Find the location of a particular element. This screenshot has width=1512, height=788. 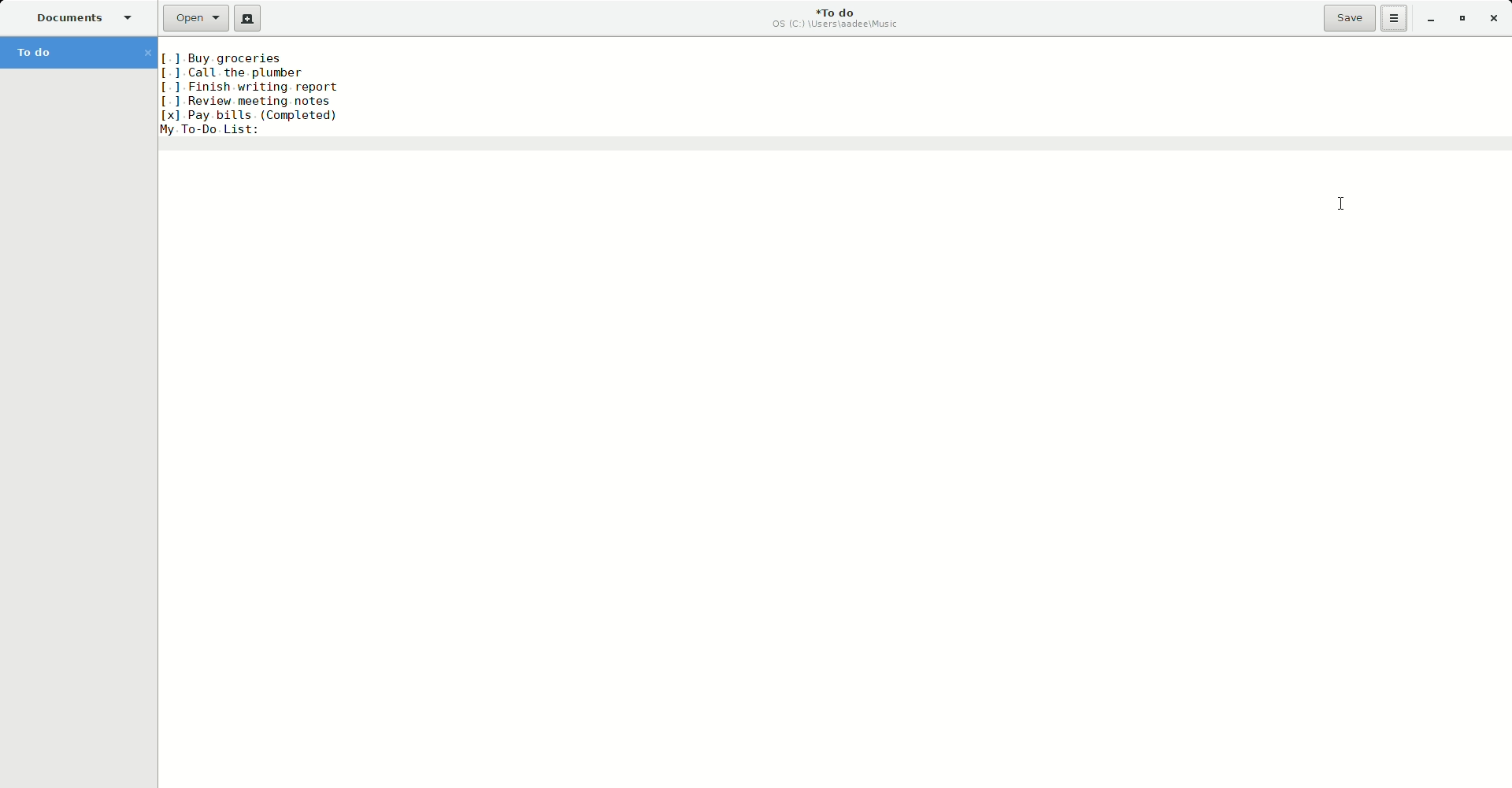

Sort applied on text is located at coordinates (271, 95).